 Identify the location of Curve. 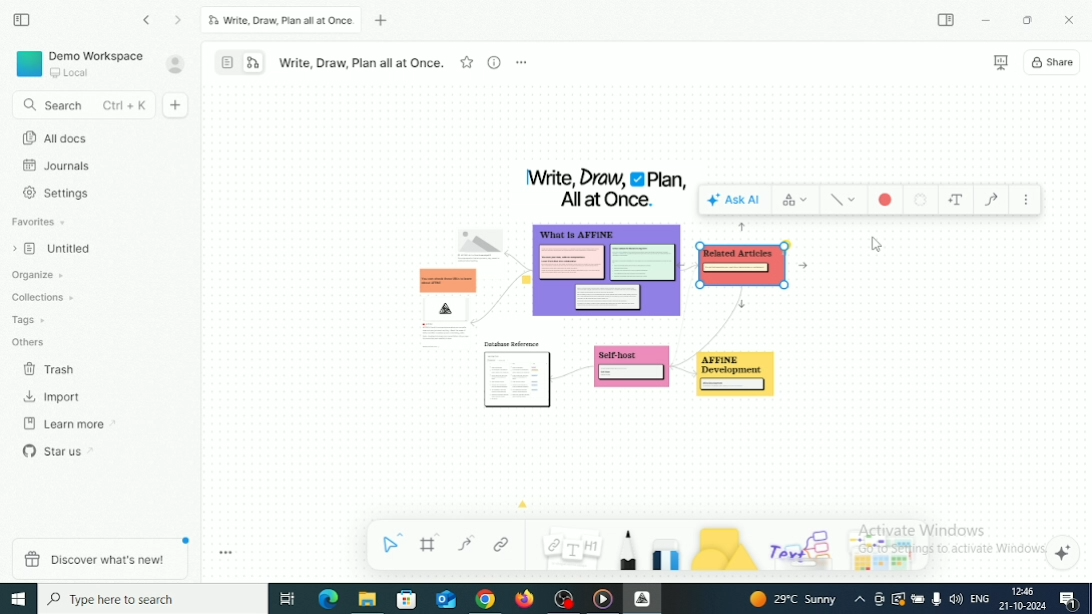
(466, 543).